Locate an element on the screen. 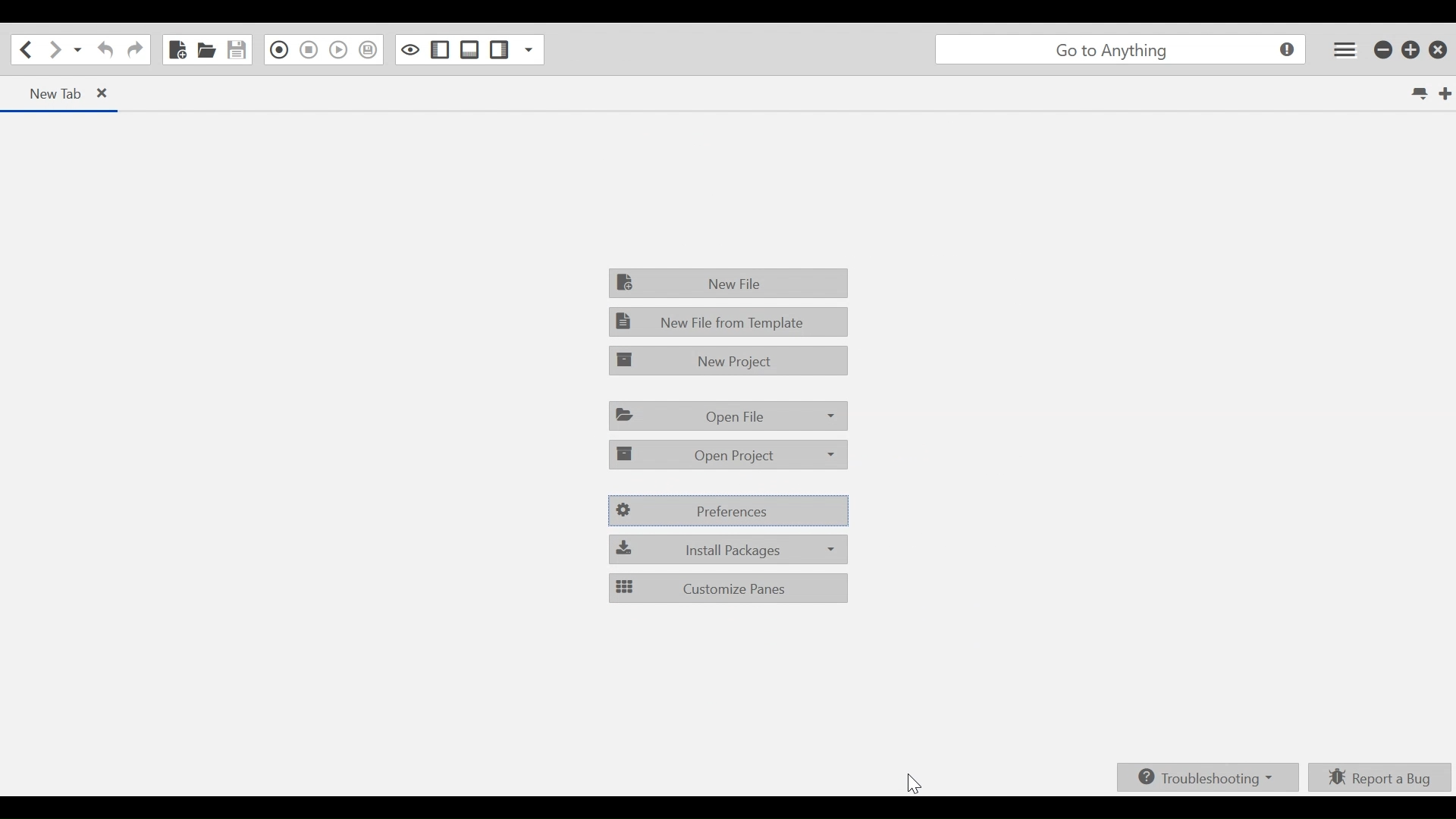 The image size is (1456, 819). Save Macro to Toolbox as Superscript is located at coordinates (368, 50).